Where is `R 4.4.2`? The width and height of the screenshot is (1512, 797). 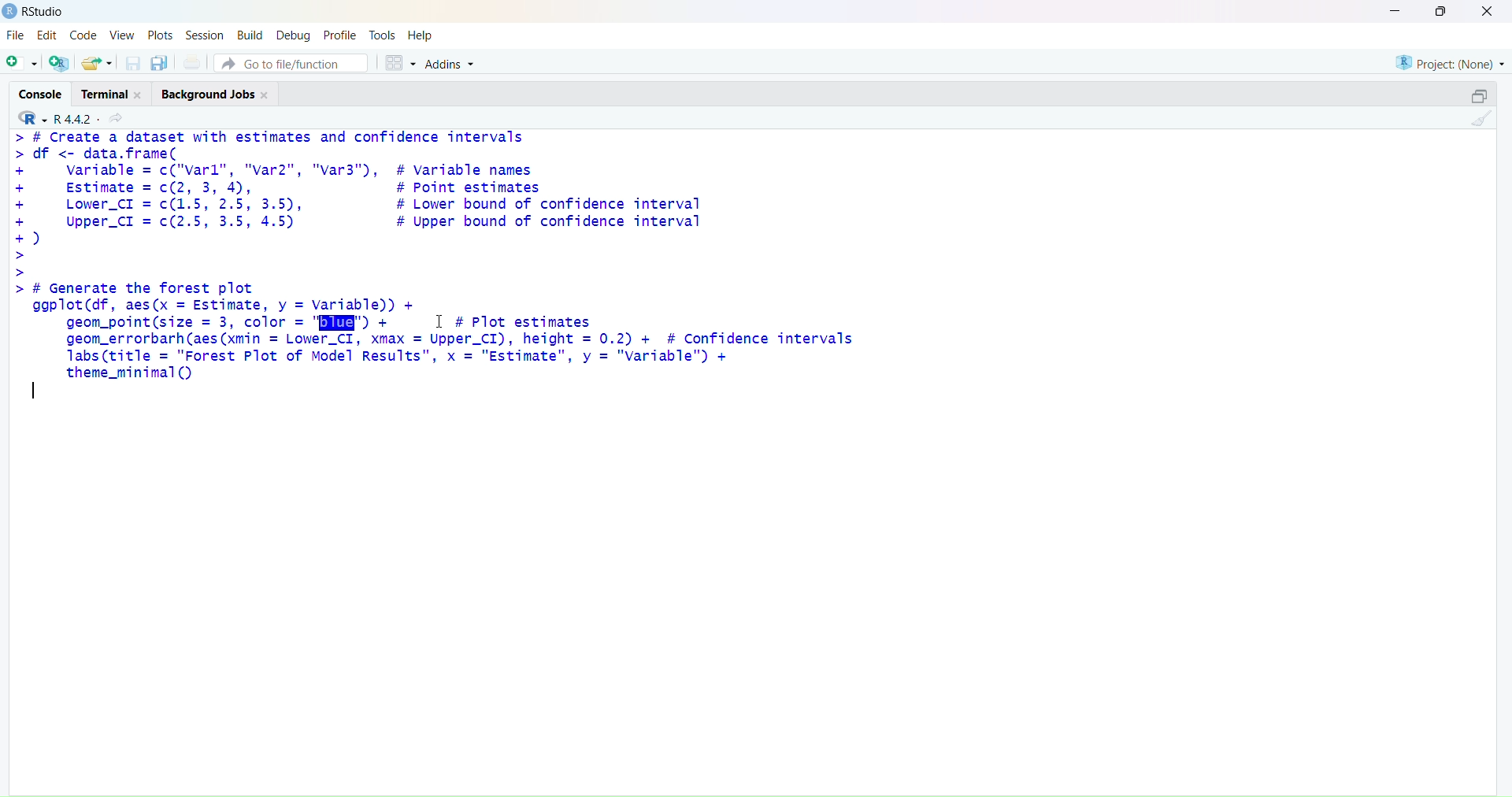
R 4.4.2 is located at coordinates (52, 118).